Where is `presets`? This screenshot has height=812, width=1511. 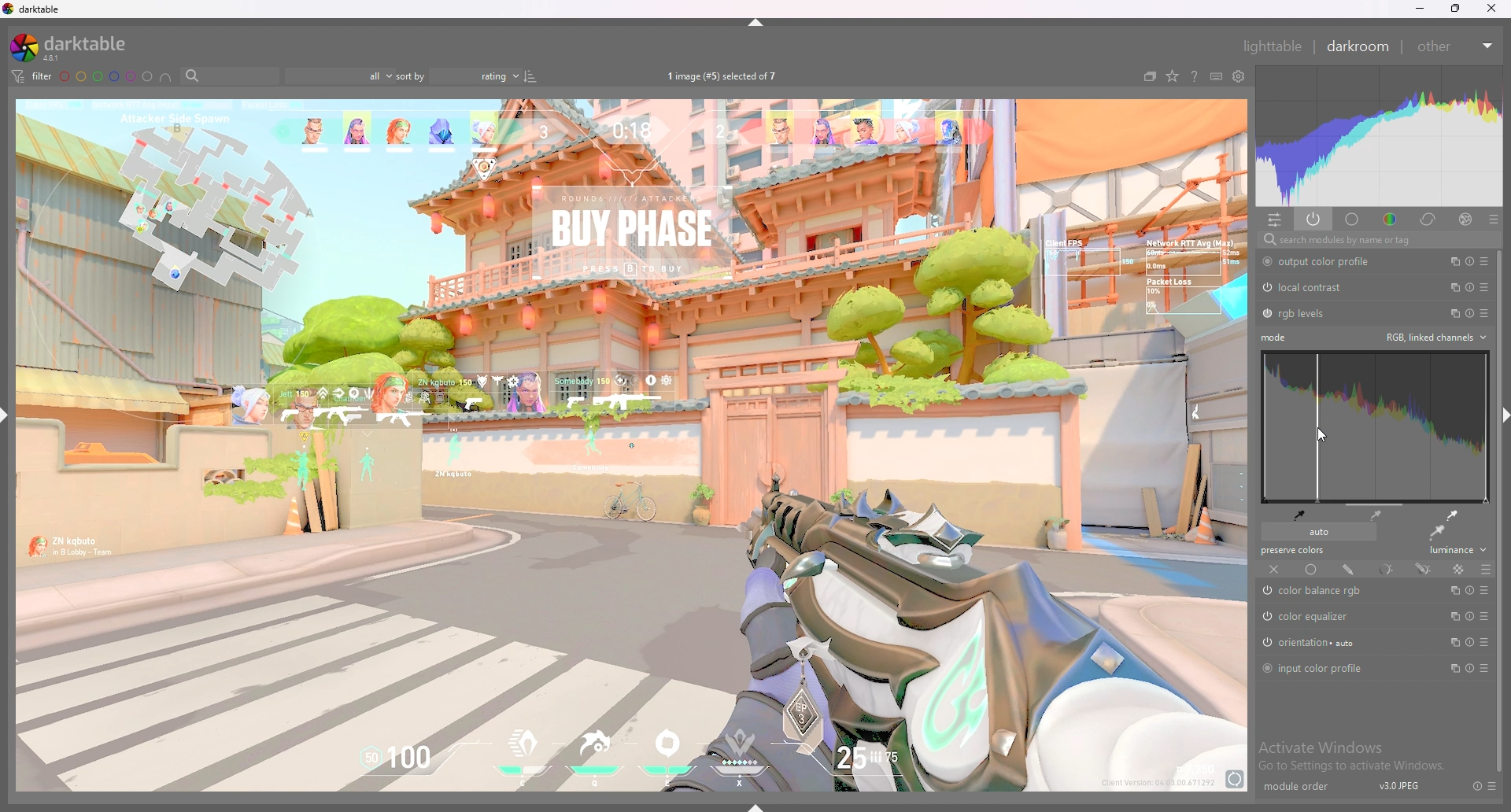
presets is located at coordinates (1484, 591).